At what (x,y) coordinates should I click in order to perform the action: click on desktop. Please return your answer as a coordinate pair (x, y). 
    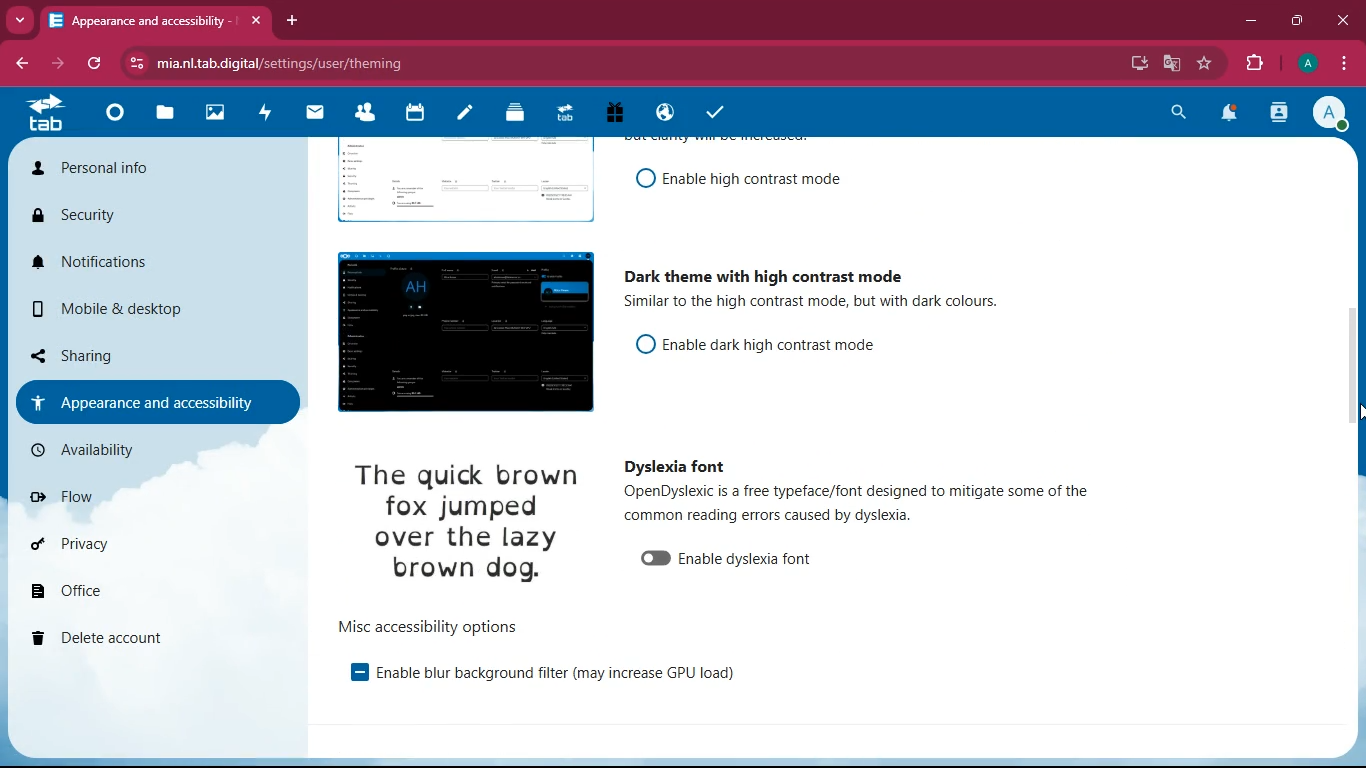
    Looking at the image, I should click on (1135, 65).